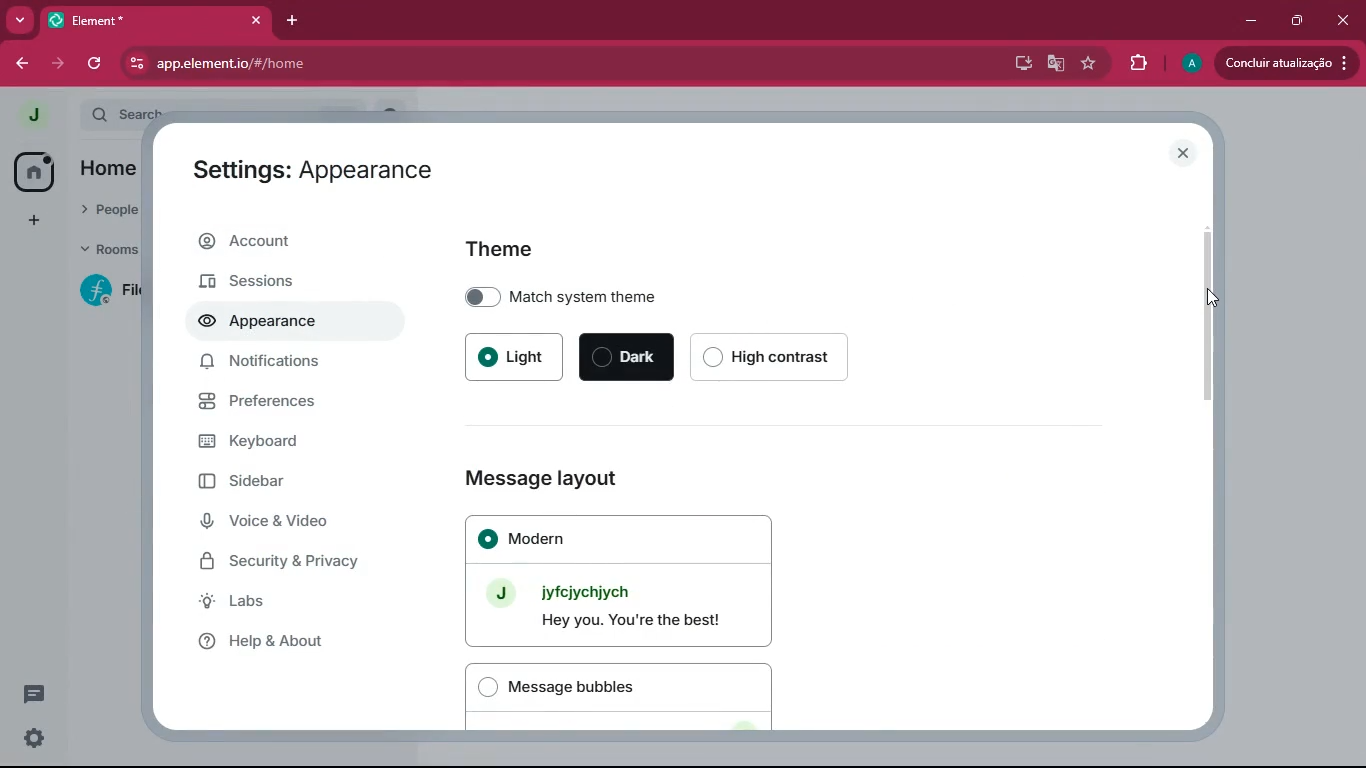 The height and width of the screenshot is (768, 1366). What do you see at coordinates (1252, 19) in the screenshot?
I see `minimize` at bounding box center [1252, 19].